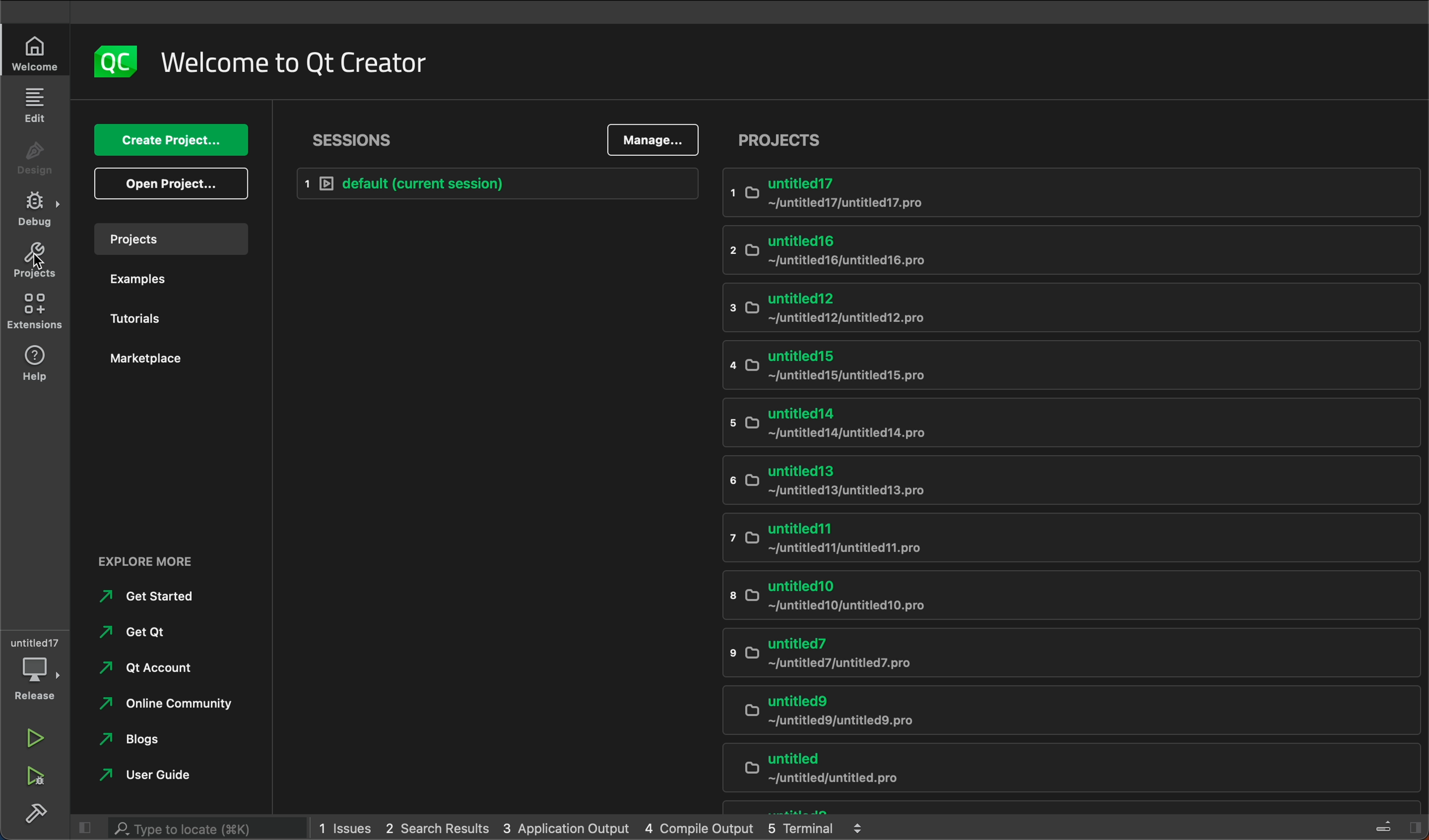 Image resolution: width=1429 pixels, height=840 pixels. What do you see at coordinates (196, 829) in the screenshot?
I see `search` at bounding box center [196, 829].